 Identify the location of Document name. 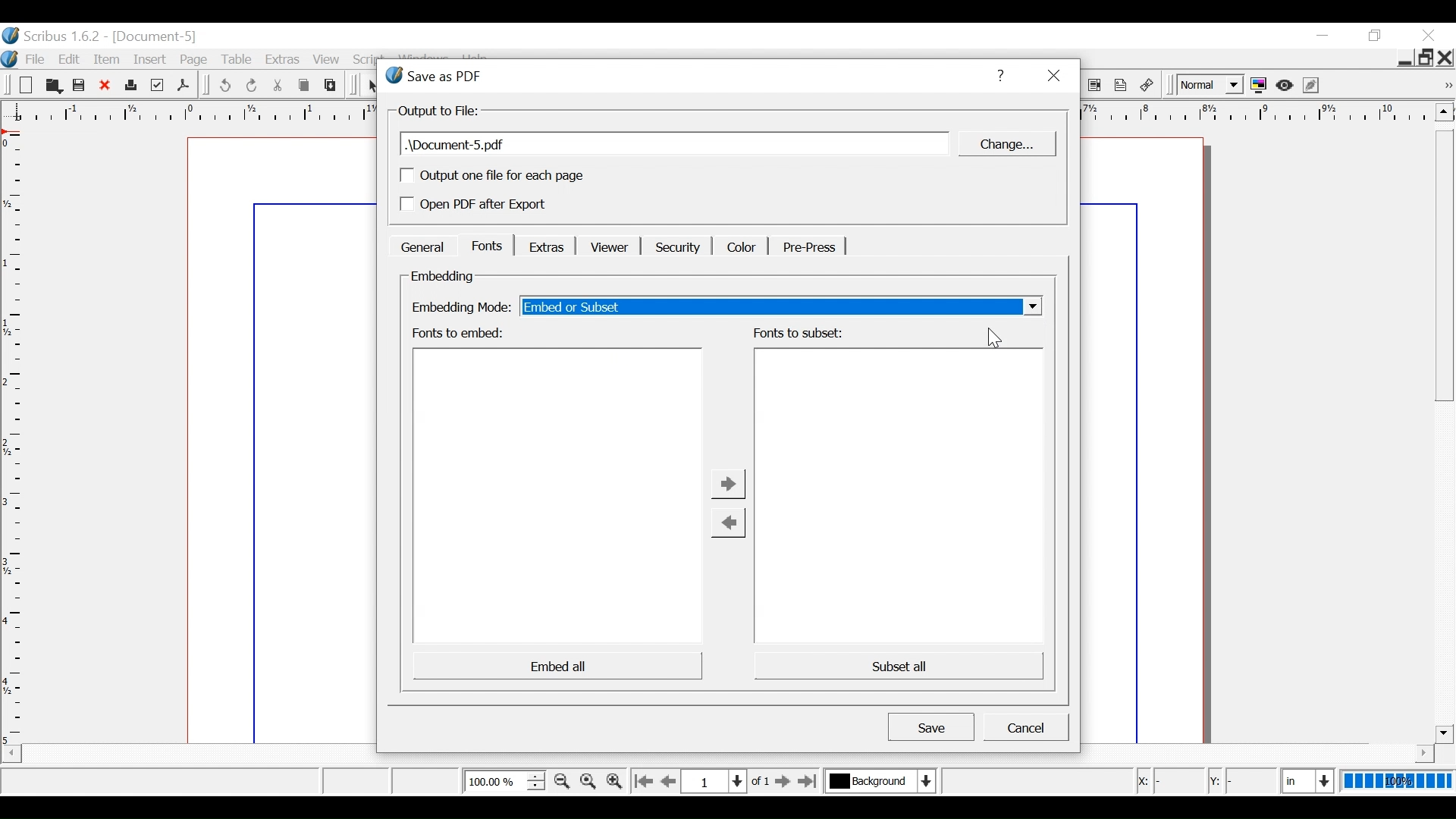
(675, 144).